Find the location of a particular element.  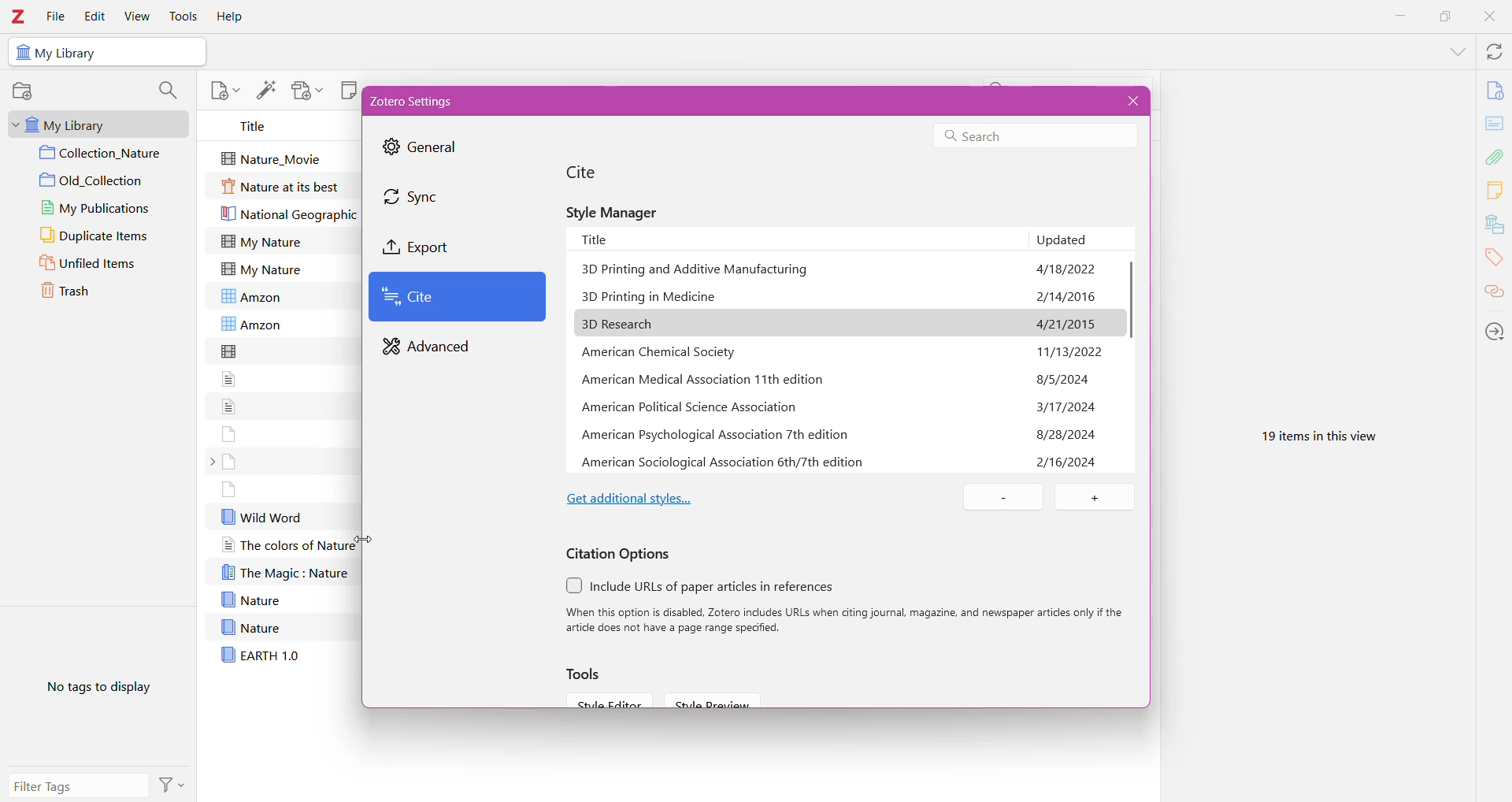

file without title is located at coordinates (230, 489).